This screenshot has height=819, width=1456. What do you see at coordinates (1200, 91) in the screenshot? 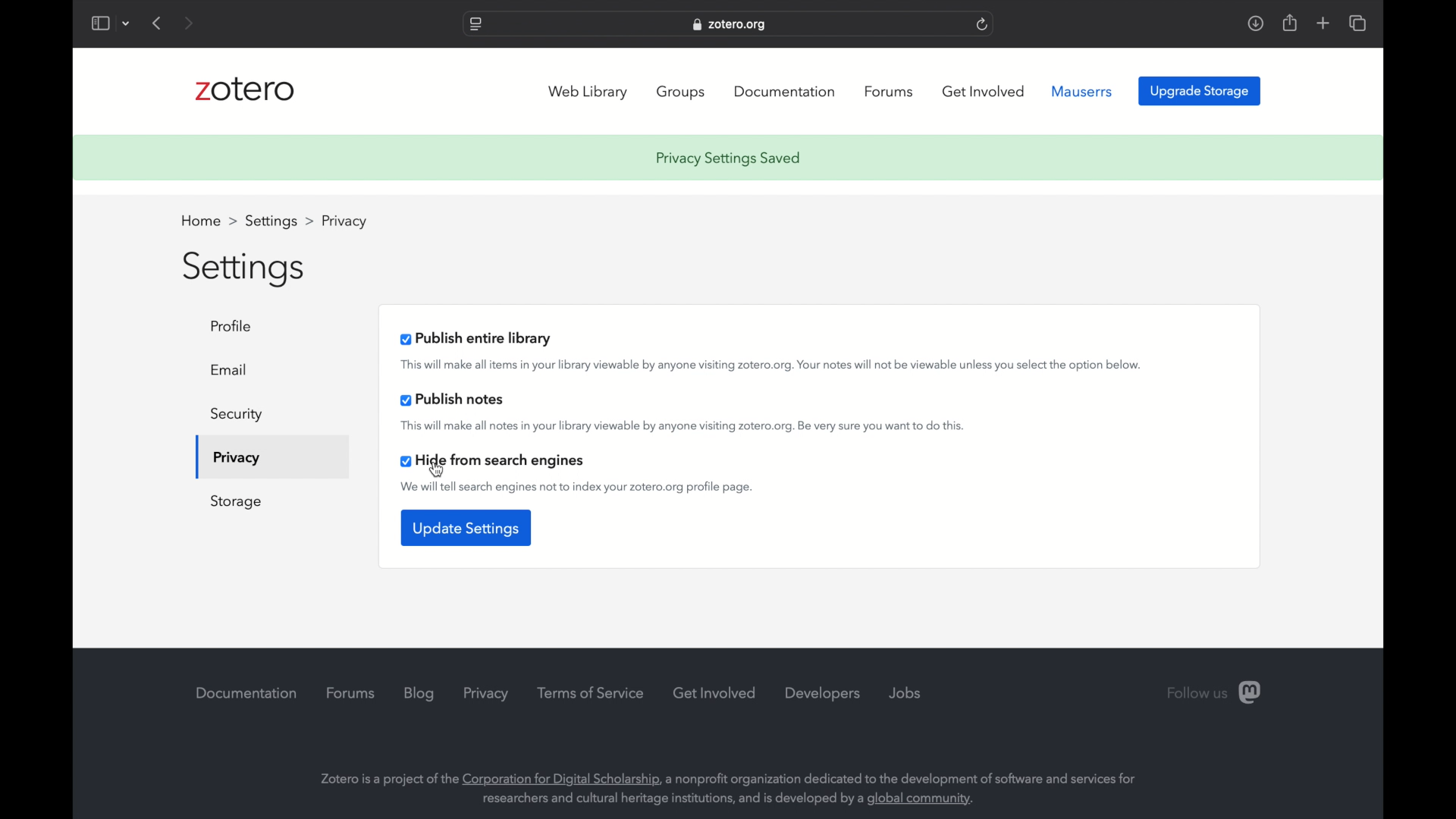
I see `upgrade  storage` at bounding box center [1200, 91].